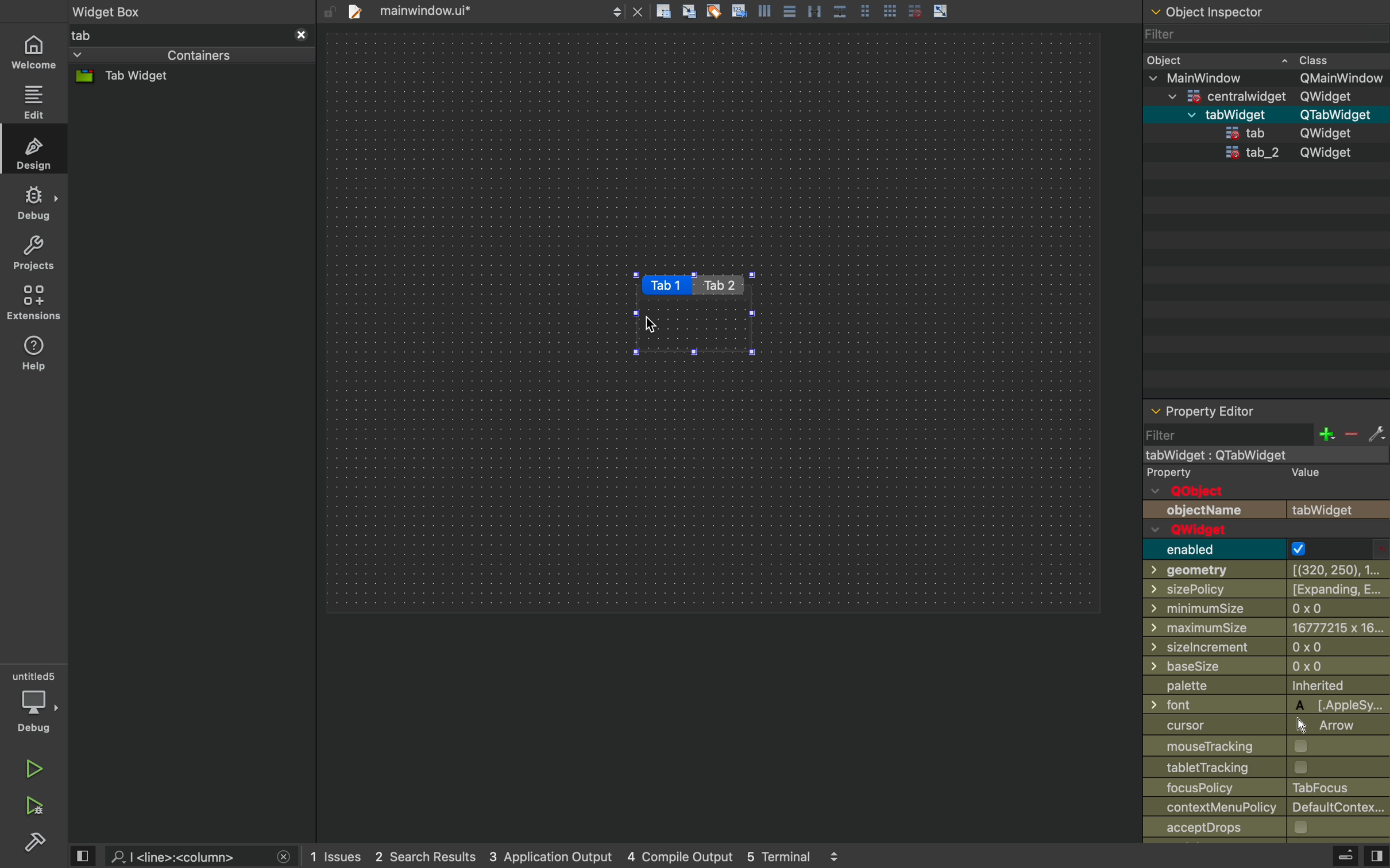 This screenshot has height=868, width=1390. Describe the element at coordinates (689, 11) in the screenshot. I see `align grid` at that location.